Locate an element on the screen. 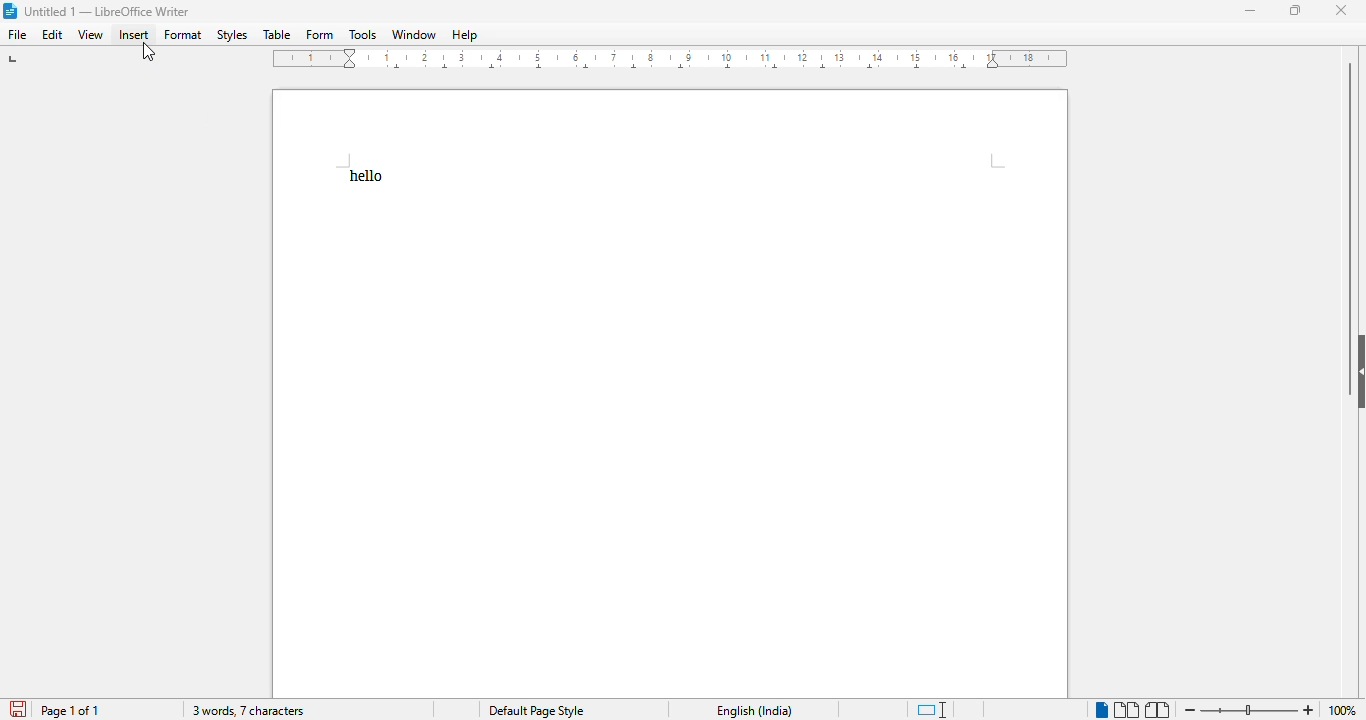 The width and height of the screenshot is (1366, 720). logo is located at coordinates (9, 11).